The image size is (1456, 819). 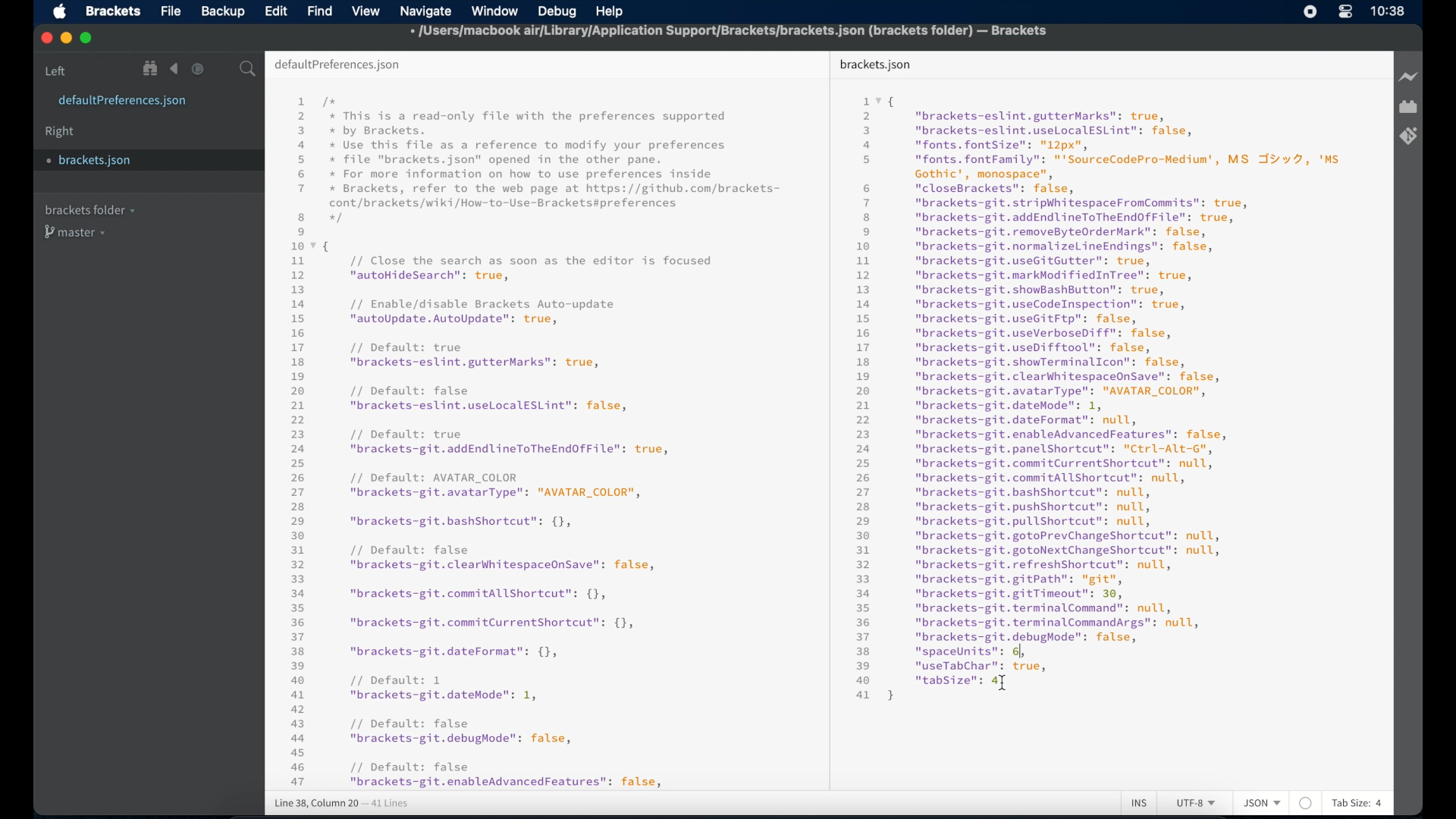 I want to click on brackets folder, so click(x=89, y=209).